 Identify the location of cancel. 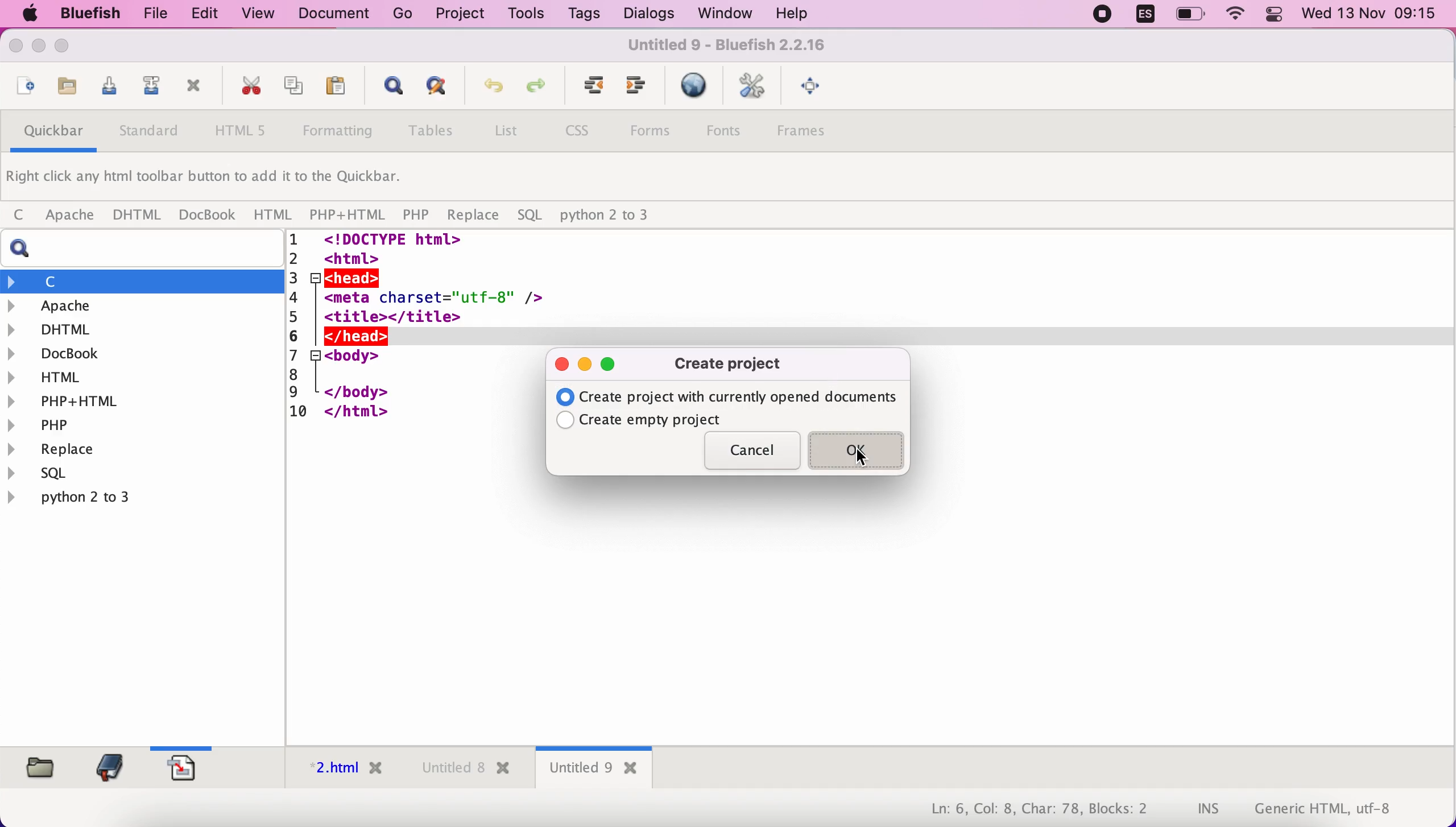
(751, 453).